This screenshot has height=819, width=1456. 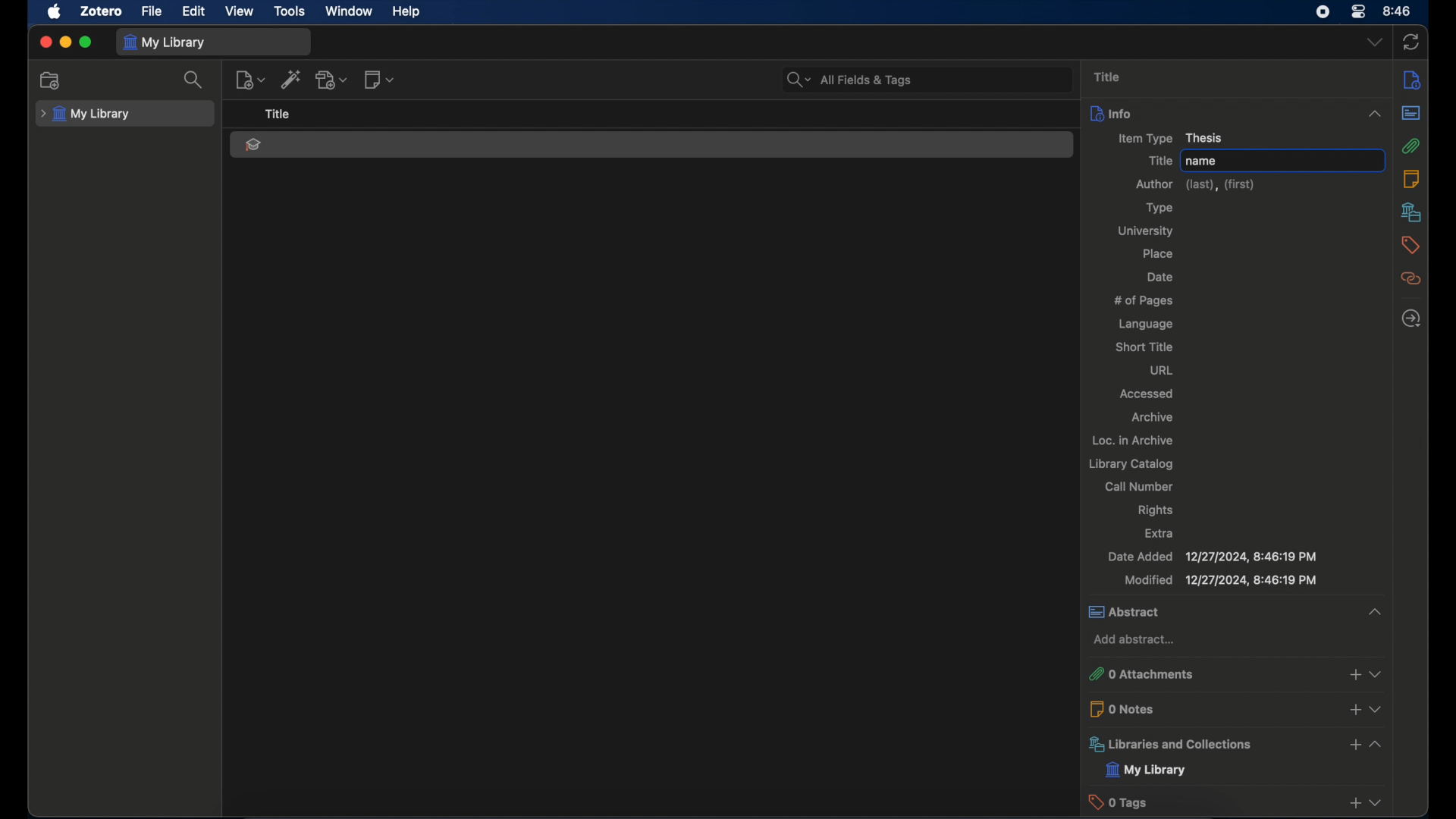 I want to click on dropdown, so click(x=1375, y=43).